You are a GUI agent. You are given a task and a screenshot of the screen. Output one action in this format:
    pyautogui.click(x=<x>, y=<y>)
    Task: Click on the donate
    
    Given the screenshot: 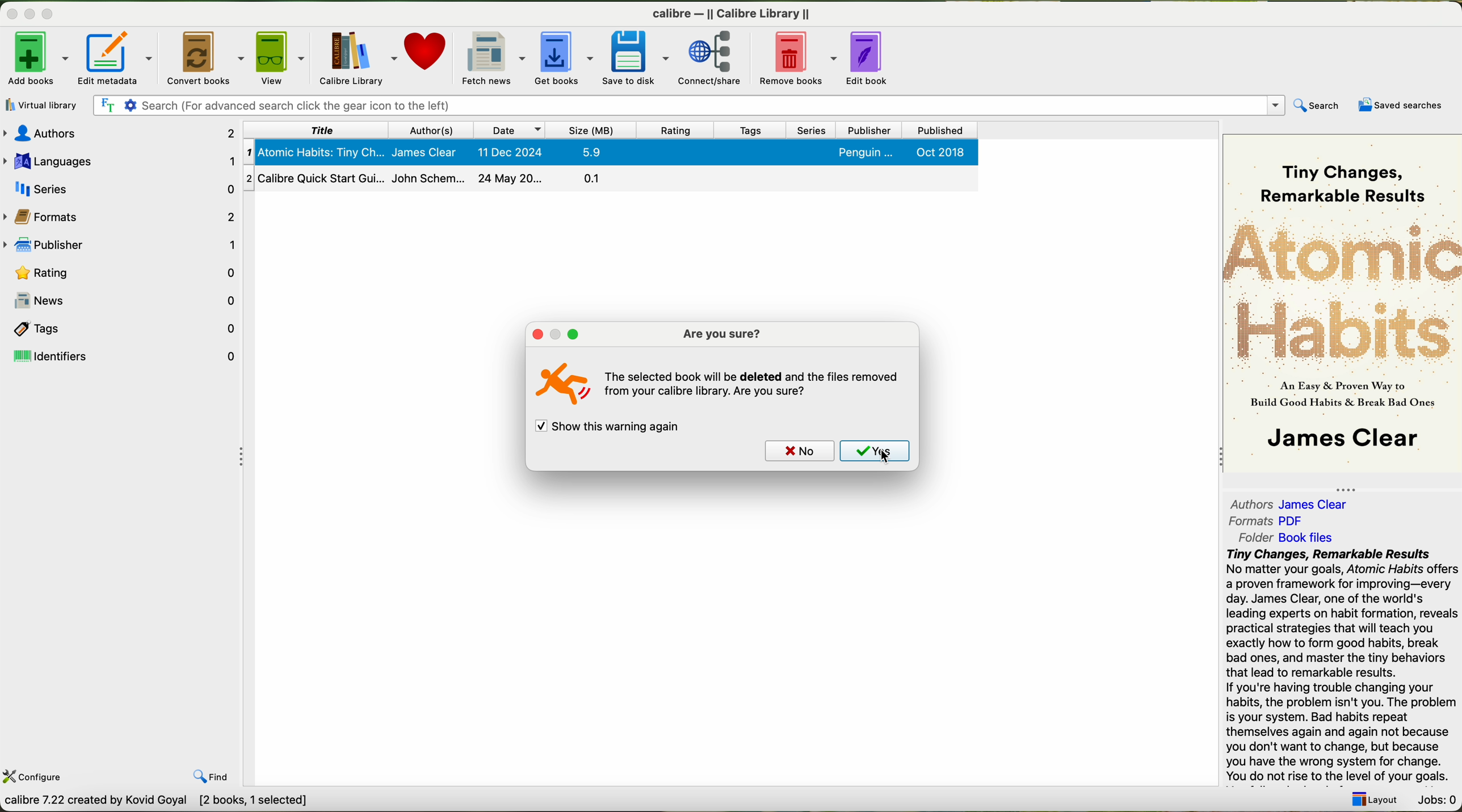 What is the action you would take?
    pyautogui.click(x=427, y=54)
    